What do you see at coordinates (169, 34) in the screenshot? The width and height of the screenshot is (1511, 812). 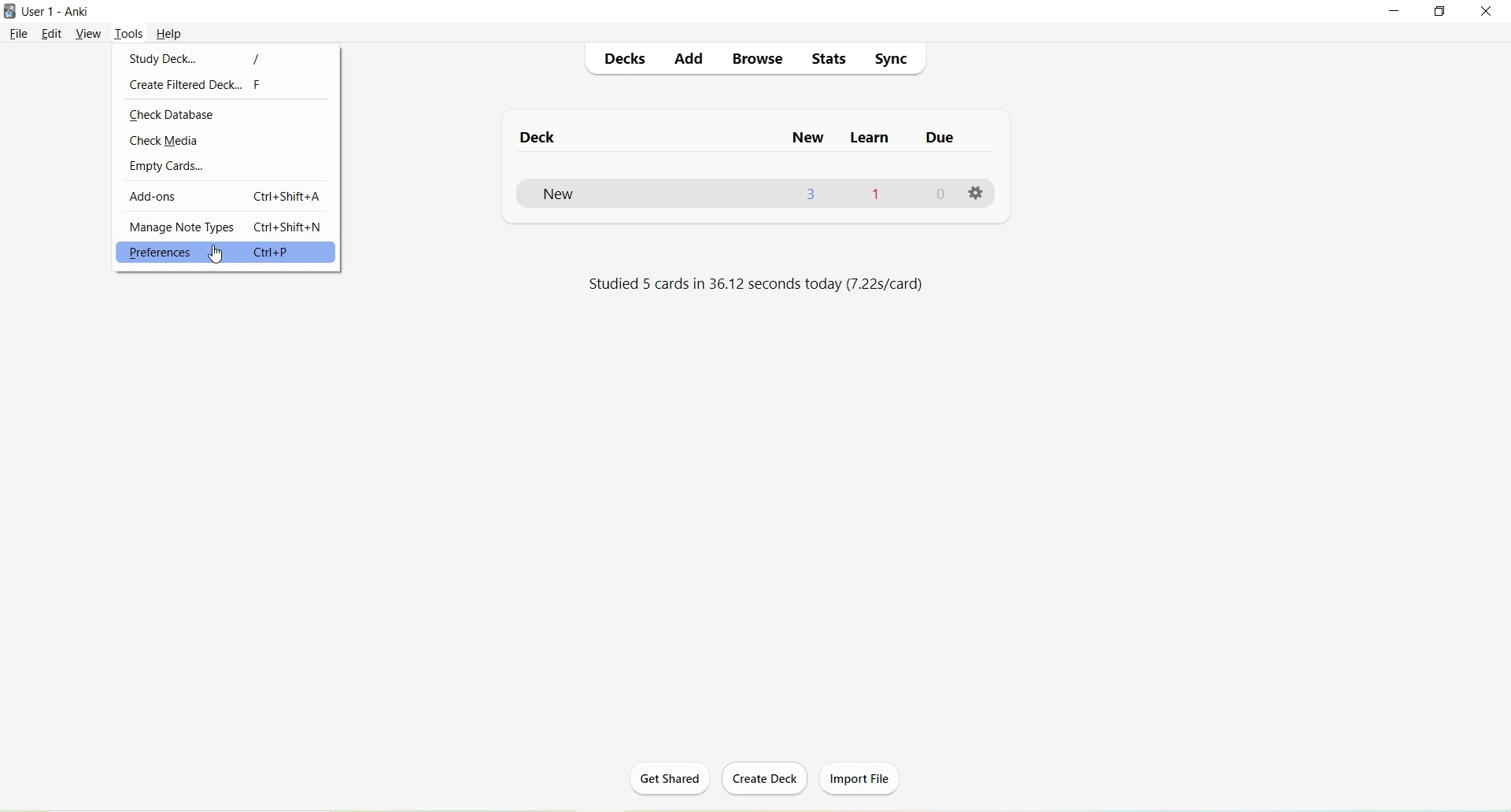 I see `Help` at bounding box center [169, 34].